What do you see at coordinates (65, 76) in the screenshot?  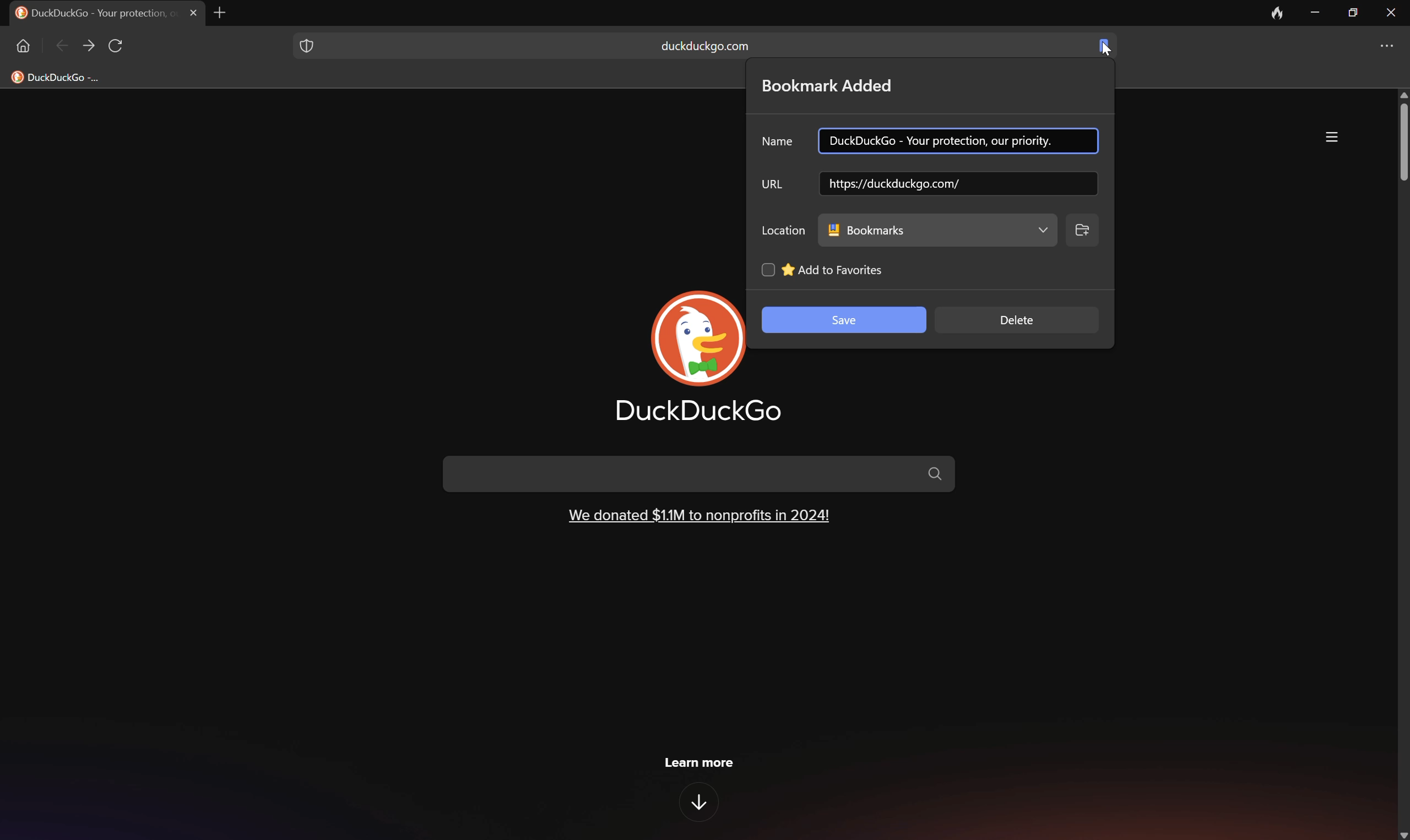 I see `Import Bookmarks` at bounding box center [65, 76].